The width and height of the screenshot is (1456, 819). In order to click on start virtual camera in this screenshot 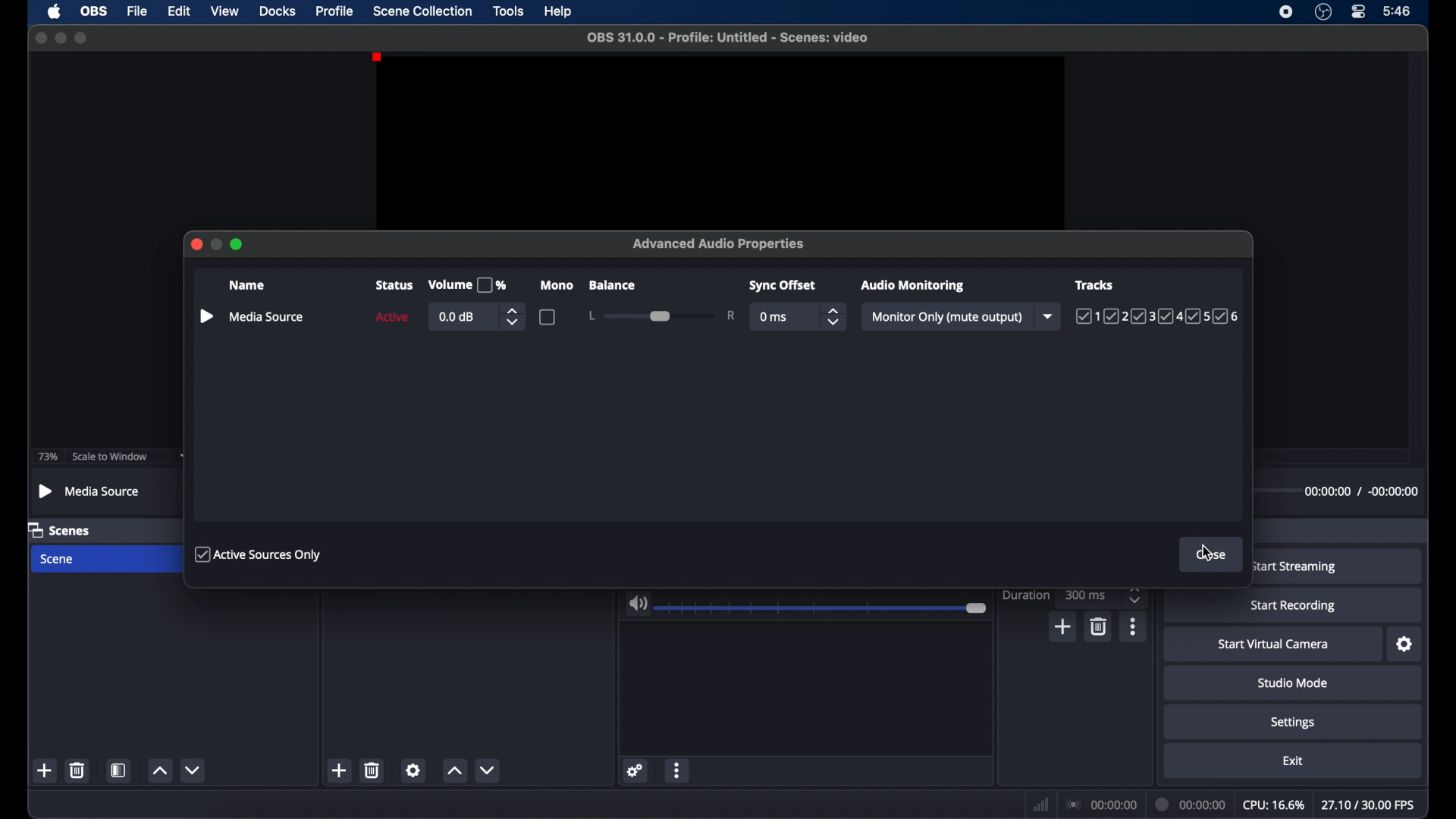, I will do `click(1273, 645)`.